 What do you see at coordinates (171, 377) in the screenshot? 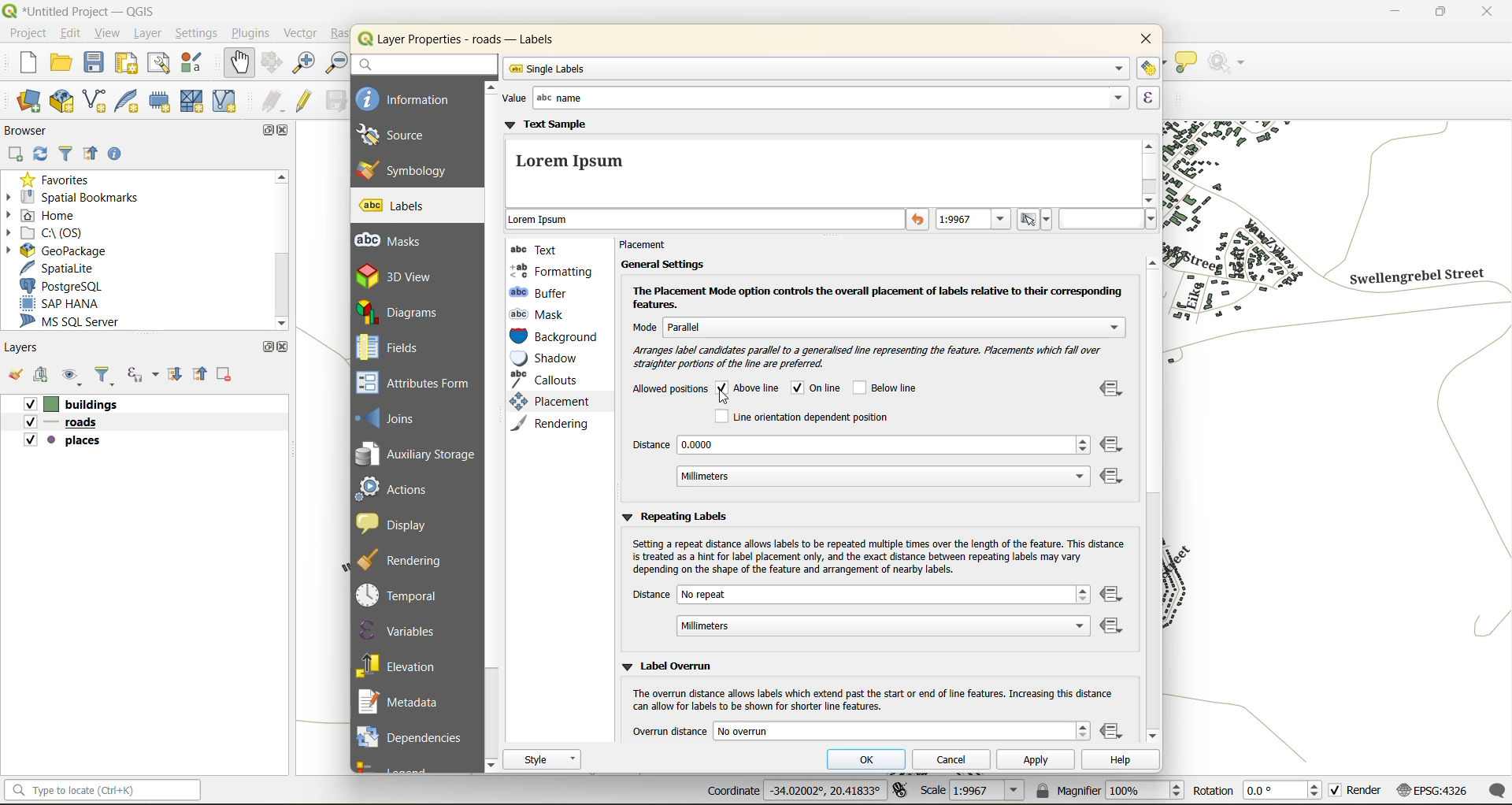
I see `expand all` at bounding box center [171, 377].